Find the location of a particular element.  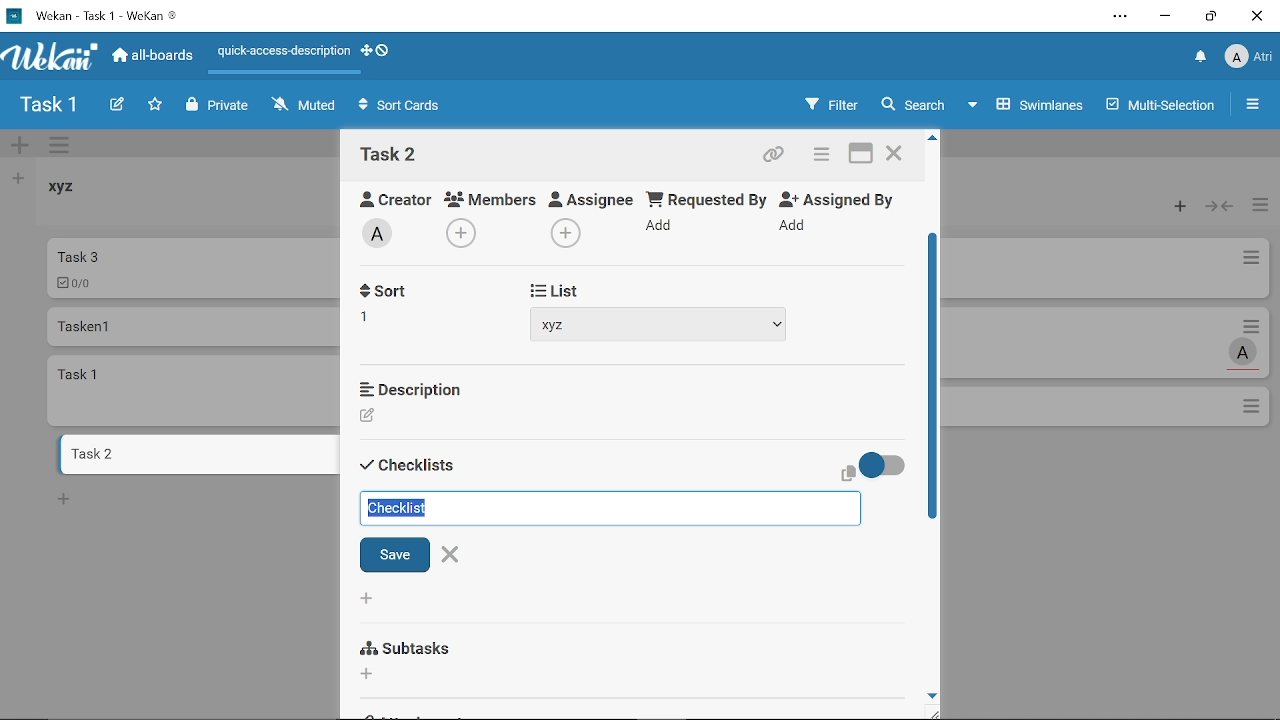

Card actions is located at coordinates (1256, 325).